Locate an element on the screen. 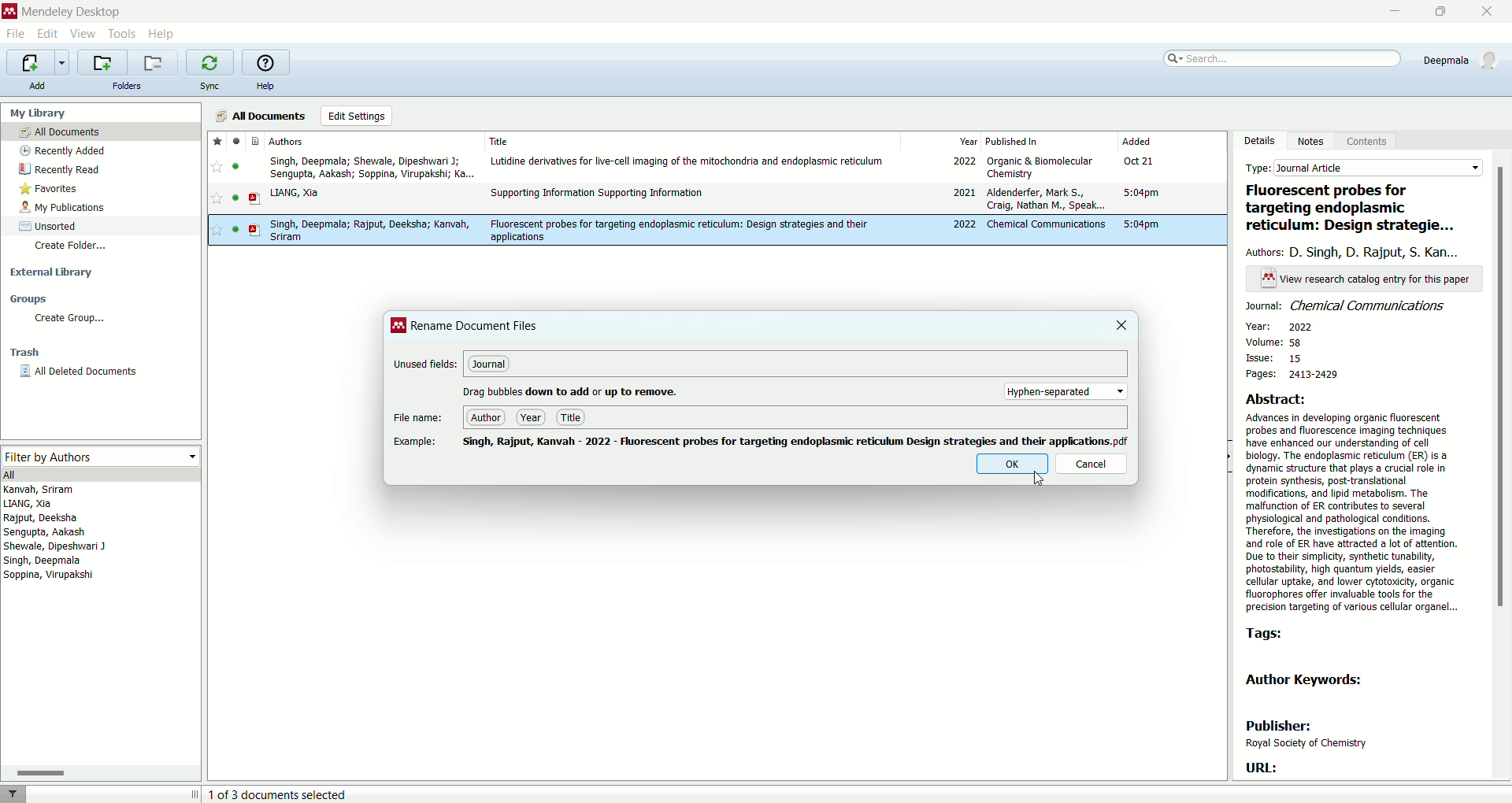  create folder is located at coordinates (72, 250).